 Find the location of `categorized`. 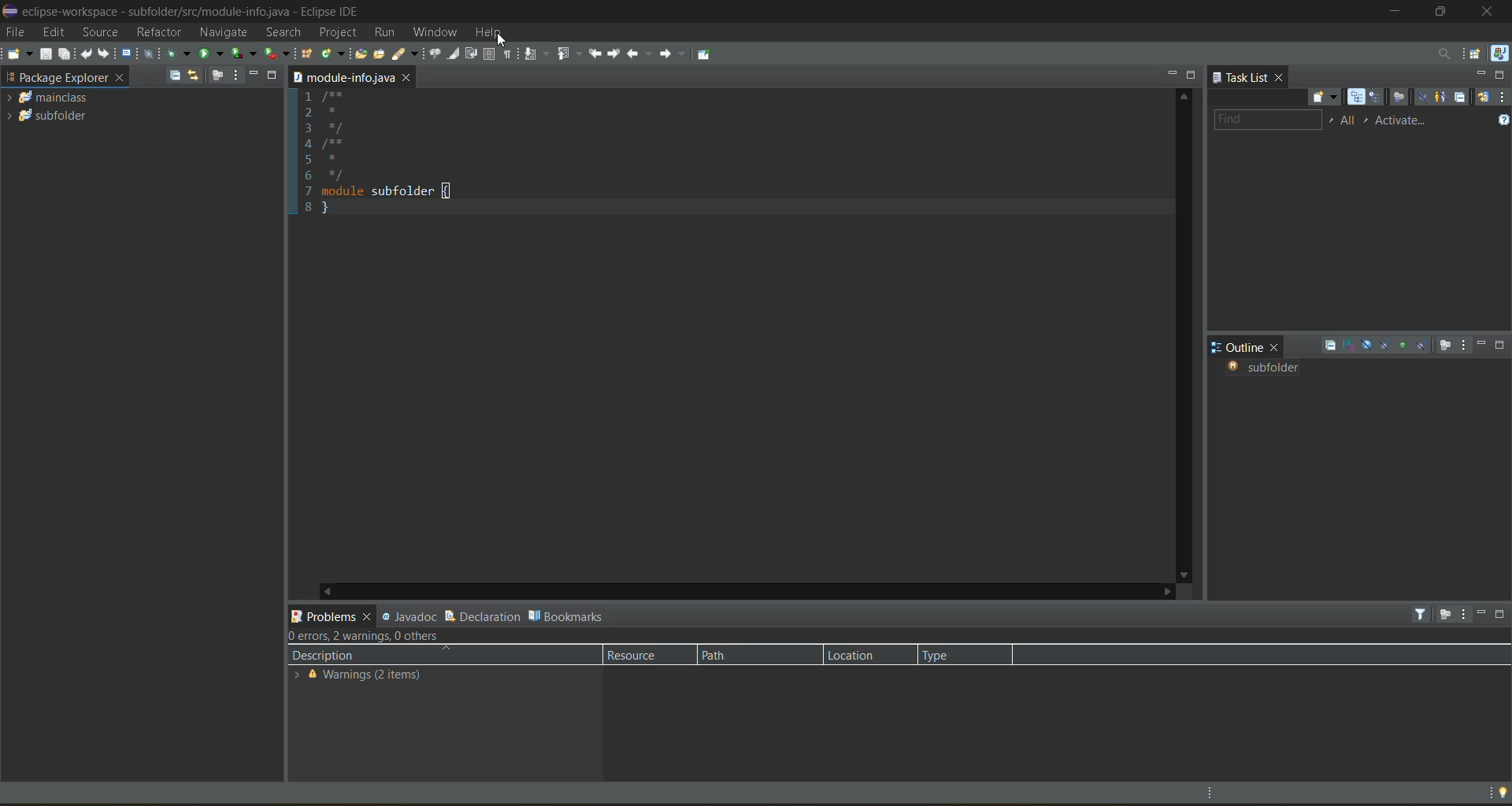

categorized is located at coordinates (1354, 97).